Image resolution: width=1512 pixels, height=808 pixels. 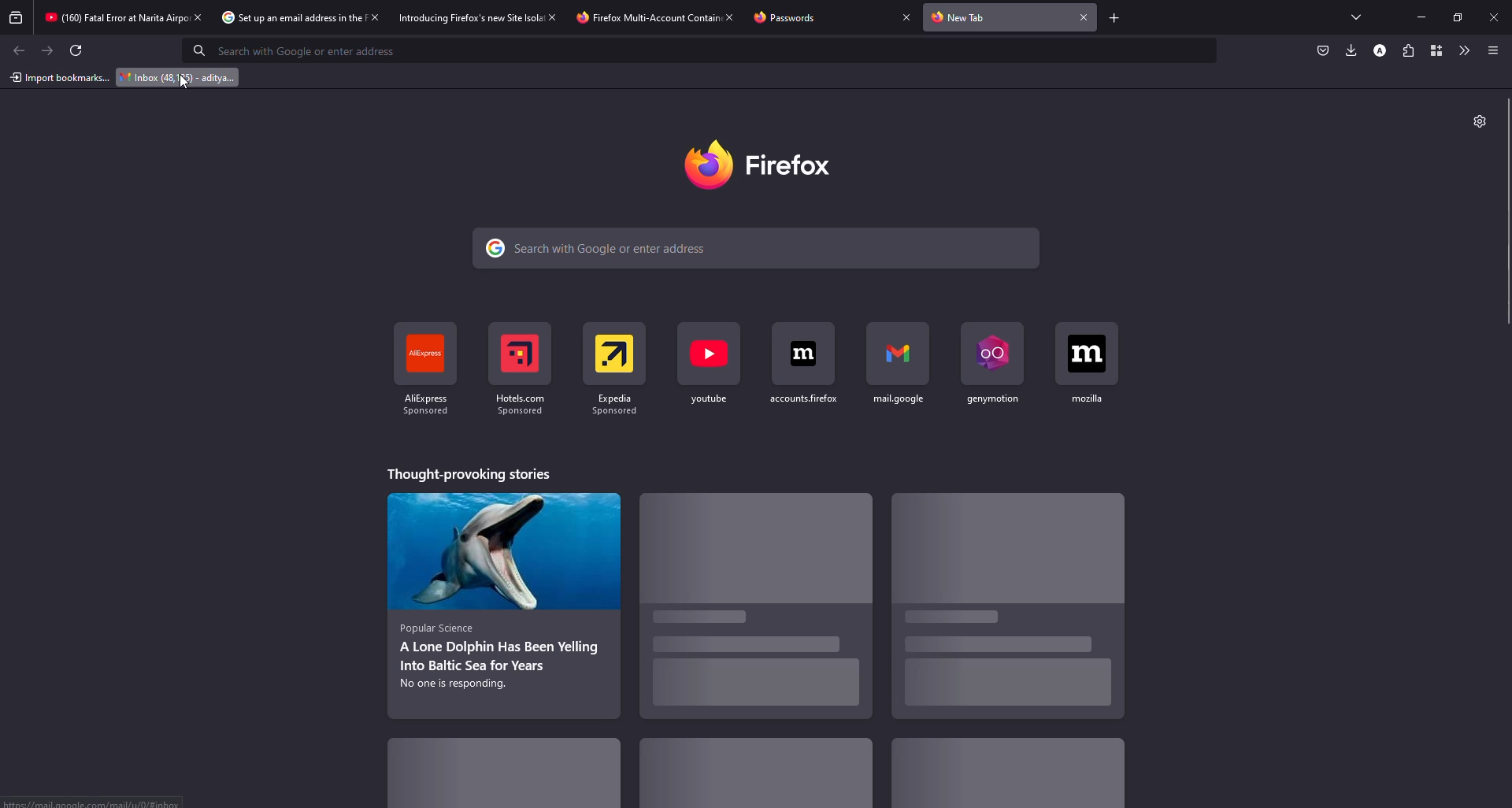 I want to click on close, so click(x=554, y=17).